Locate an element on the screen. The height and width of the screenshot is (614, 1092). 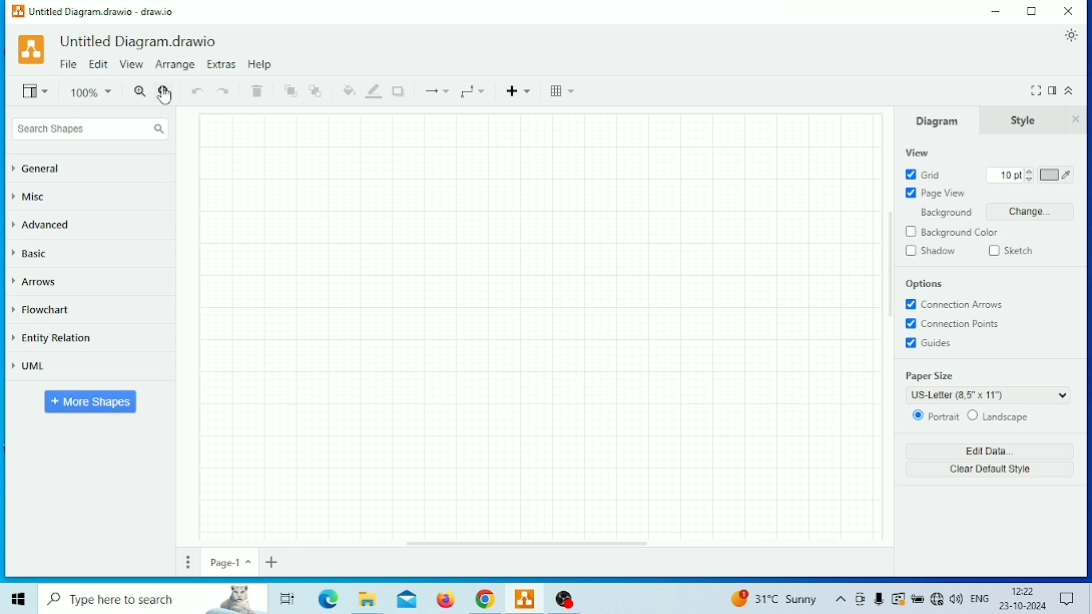
General is located at coordinates (38, 169).